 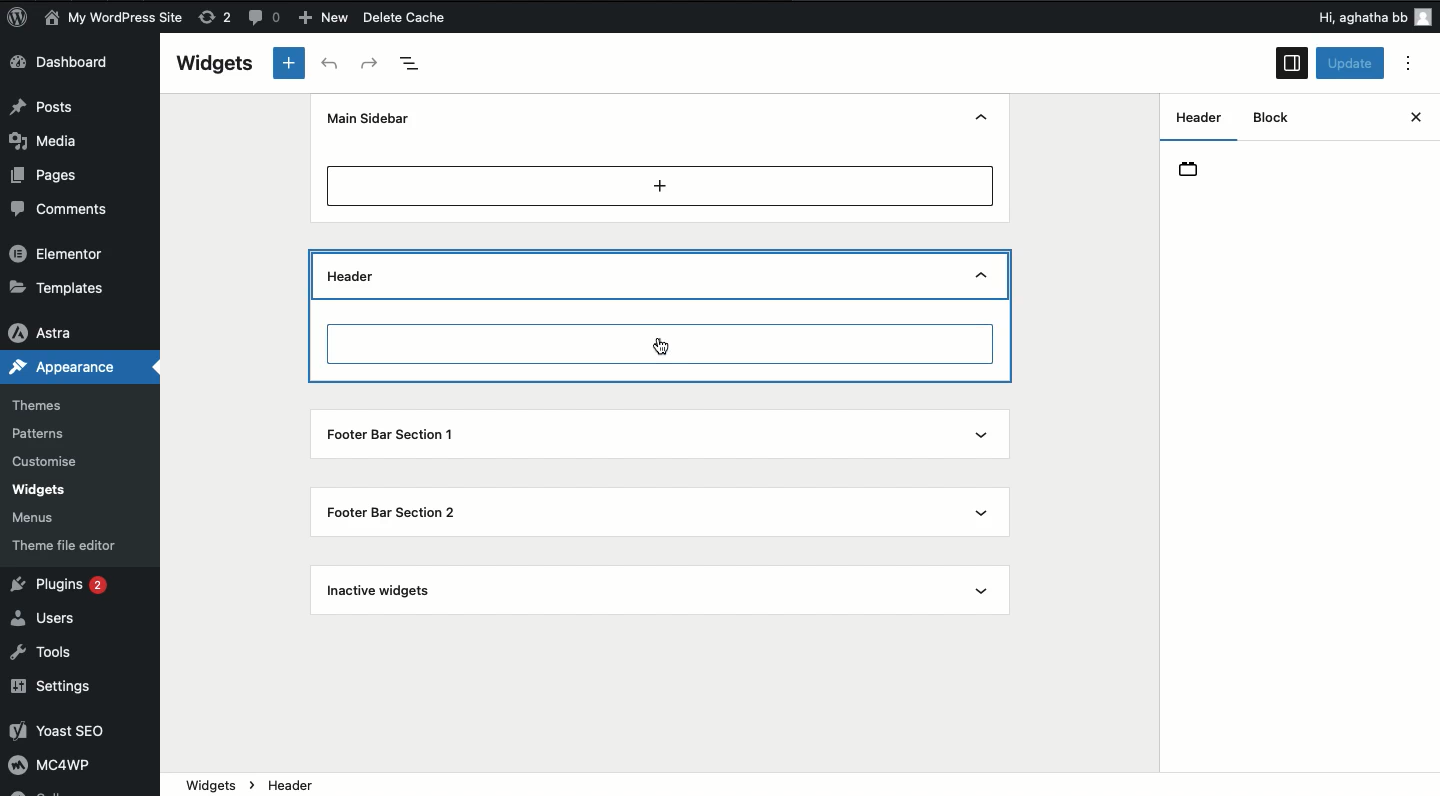 I want to click on , so click(x=1337, y=17).